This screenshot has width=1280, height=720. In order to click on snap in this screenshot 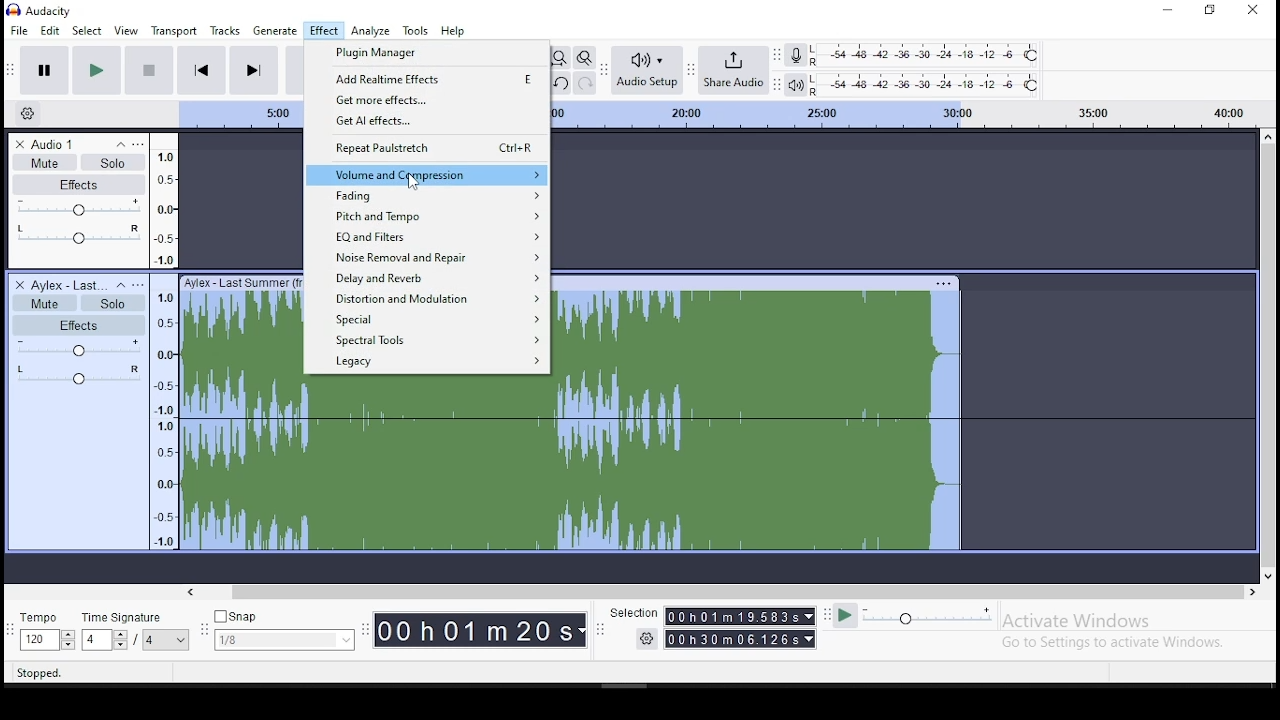, I will do `click(286, 629)`.